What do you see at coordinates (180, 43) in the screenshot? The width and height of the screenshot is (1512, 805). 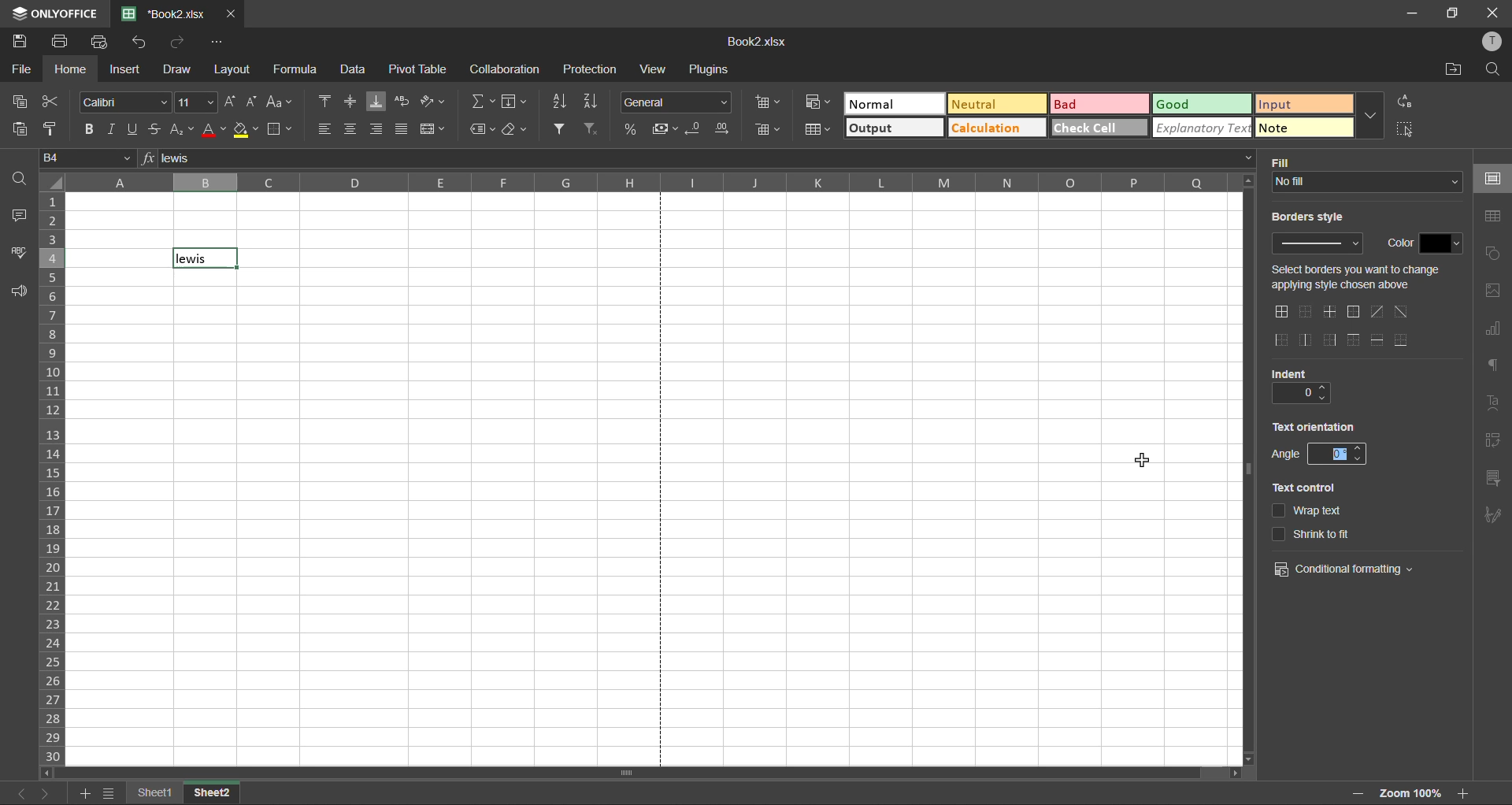 I see `redo` at bounding box center [180, 43].